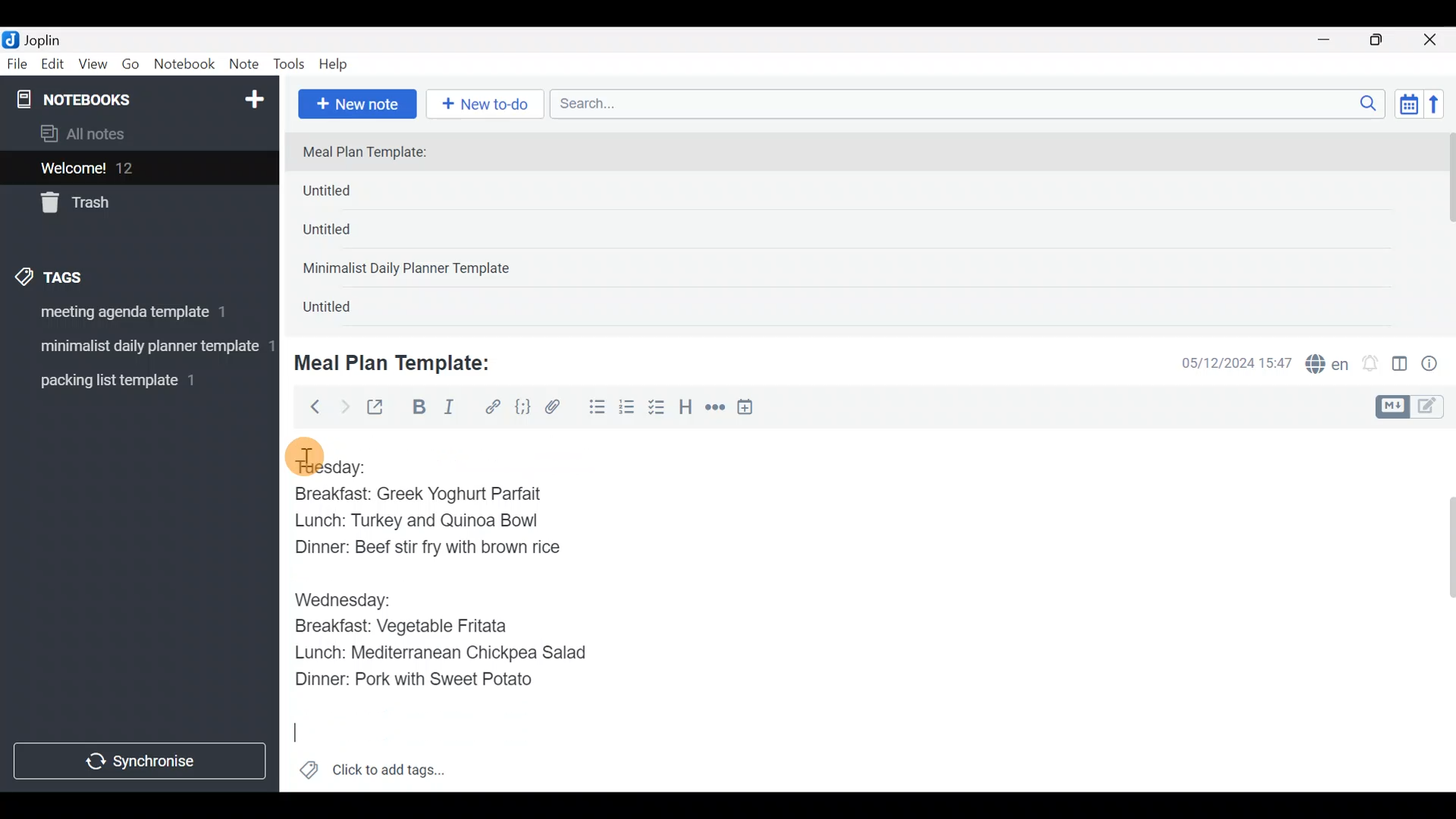 Image resolution: width=1456 pixels, height=819 pixels. I want to click on Bulleted list, so click(594, 408).